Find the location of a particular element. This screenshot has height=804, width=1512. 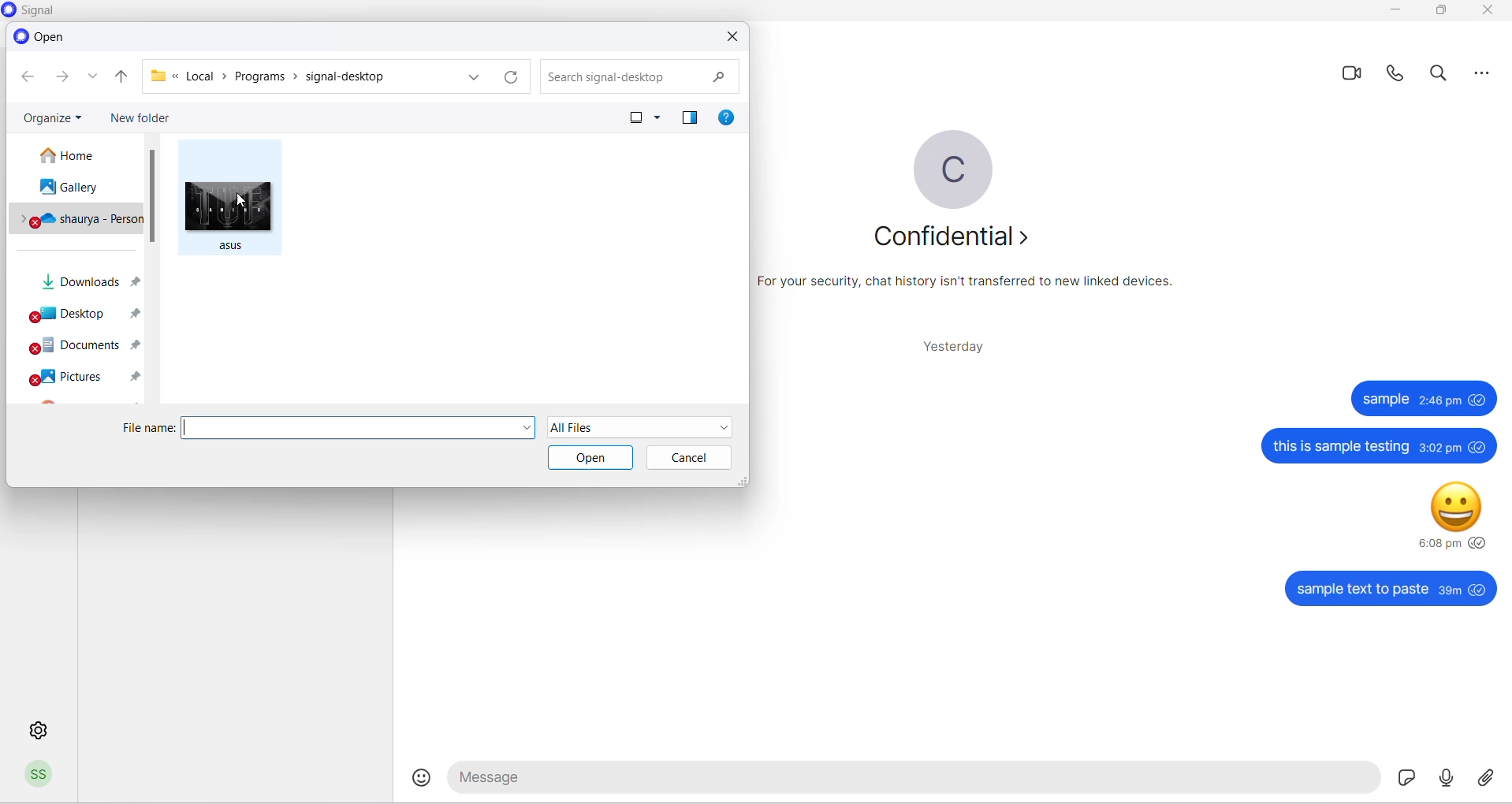

organize is located at coordinates (53, 115).